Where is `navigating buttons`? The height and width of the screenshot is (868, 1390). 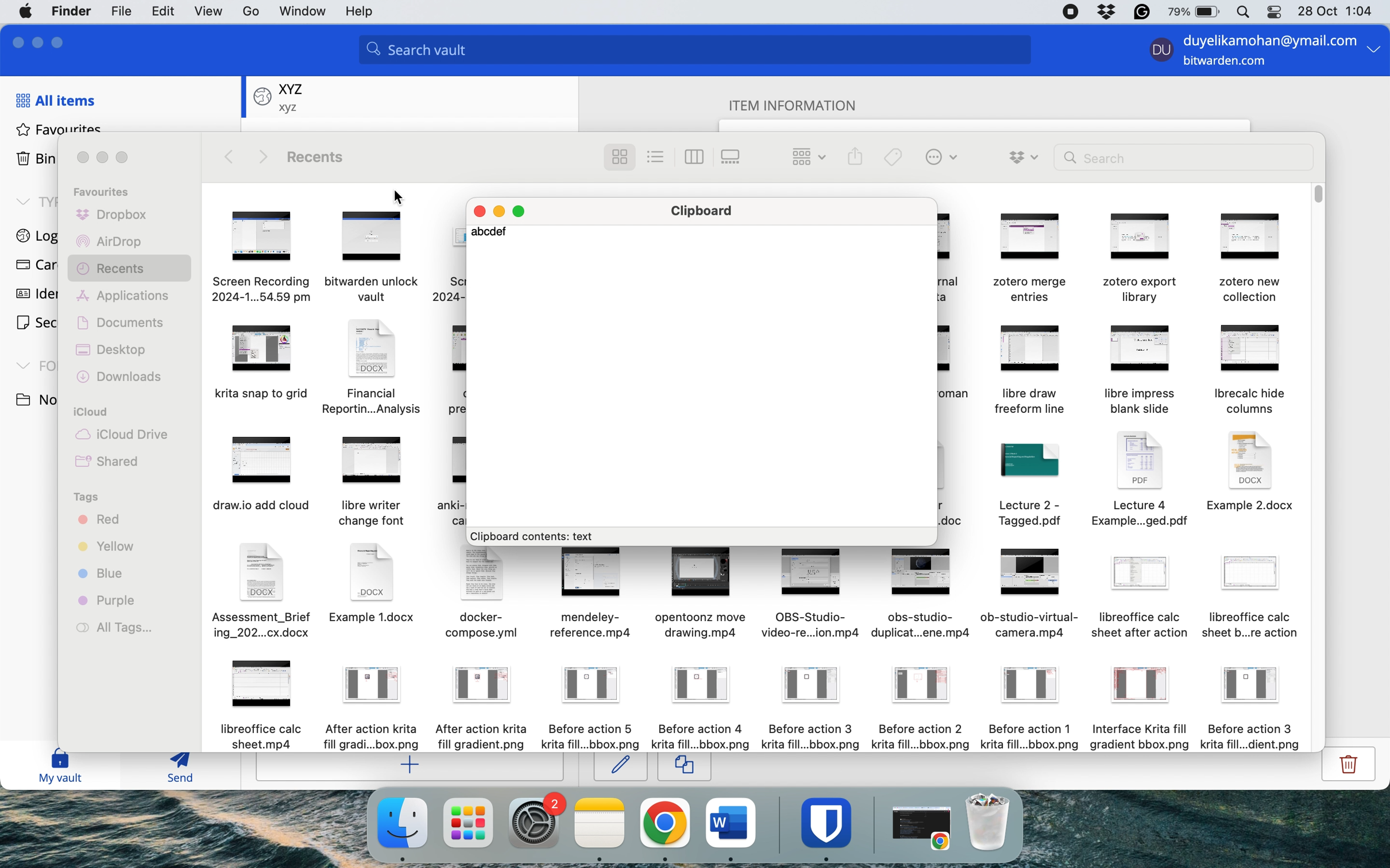
navigating buttons is located at coordinates (248, 157).